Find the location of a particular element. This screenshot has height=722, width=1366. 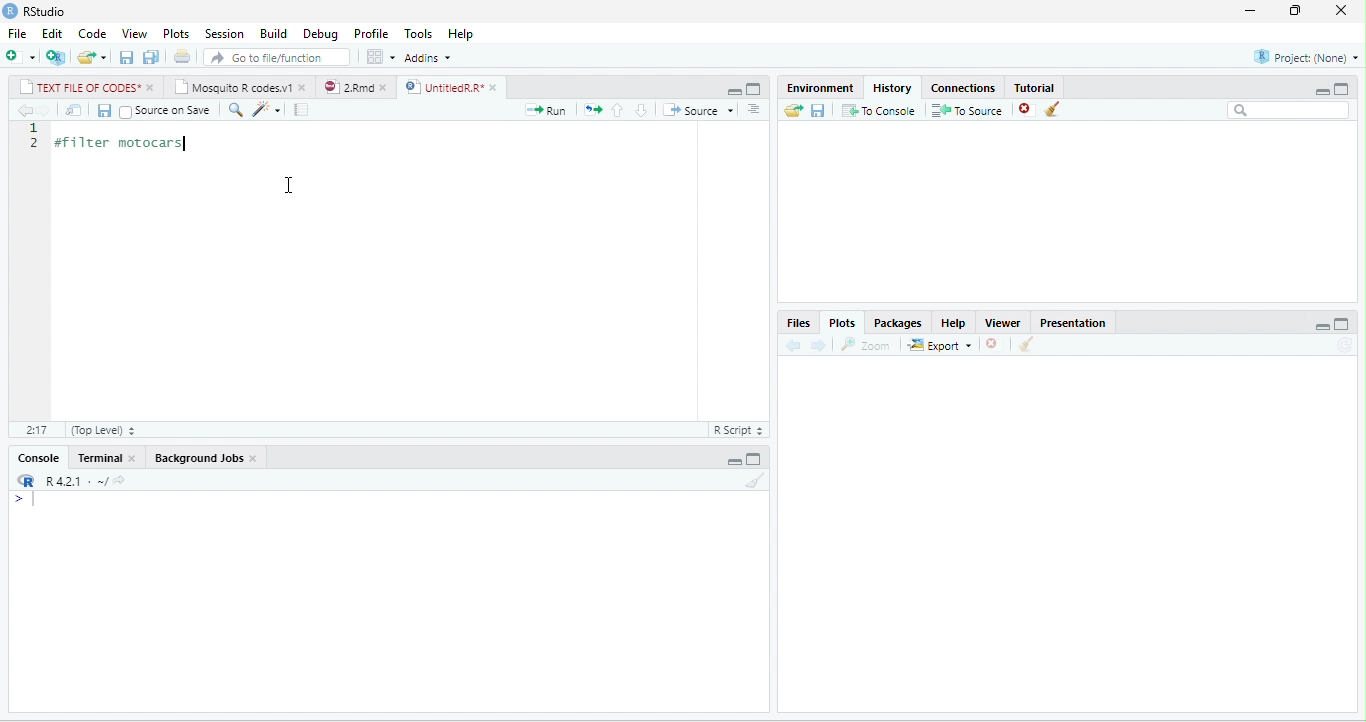

Build is located at coordinates (273, 33).